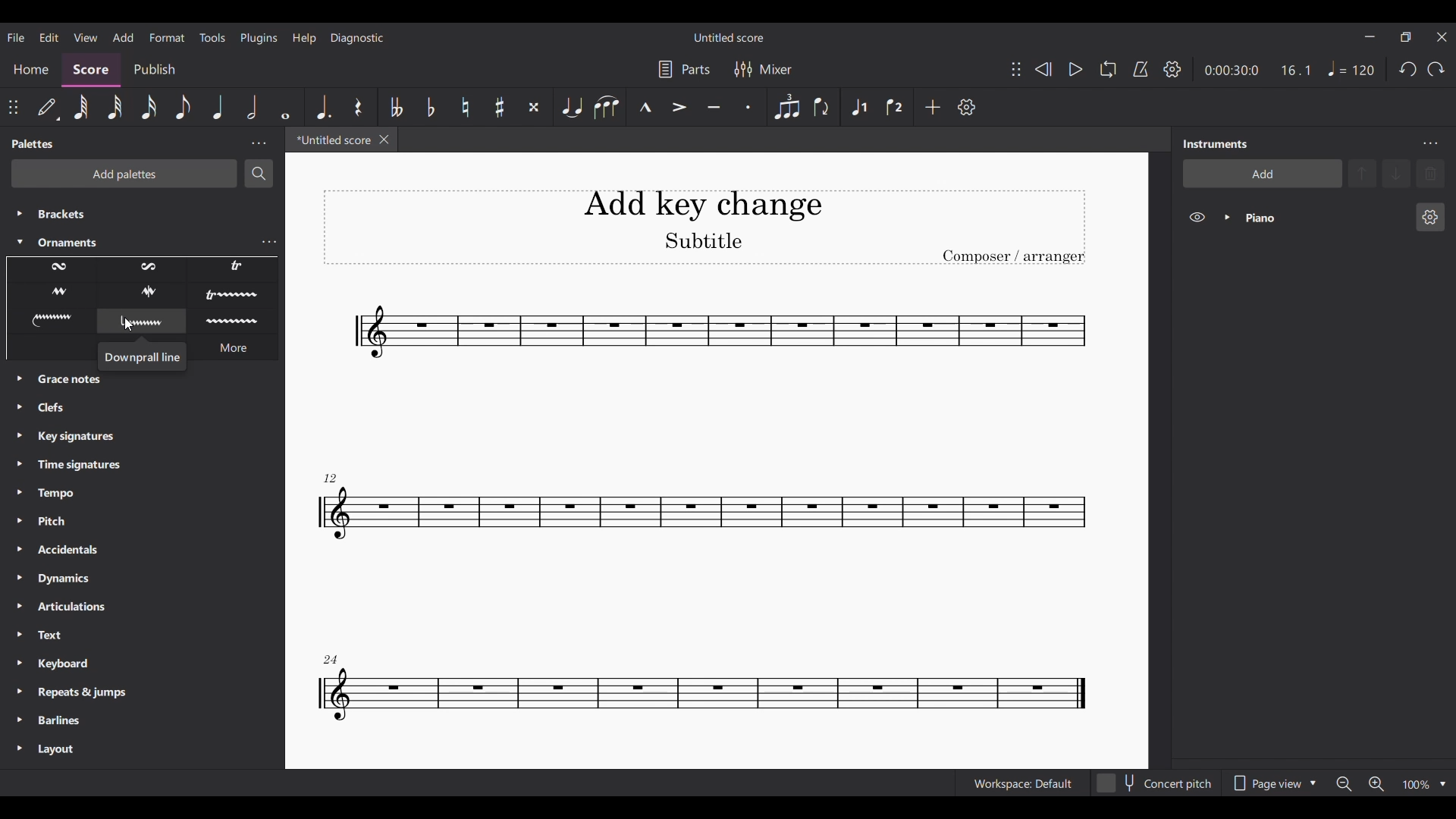  Describe the element at coordinates (786, 107) in the screenshot. I see `Tuplet` at that location.